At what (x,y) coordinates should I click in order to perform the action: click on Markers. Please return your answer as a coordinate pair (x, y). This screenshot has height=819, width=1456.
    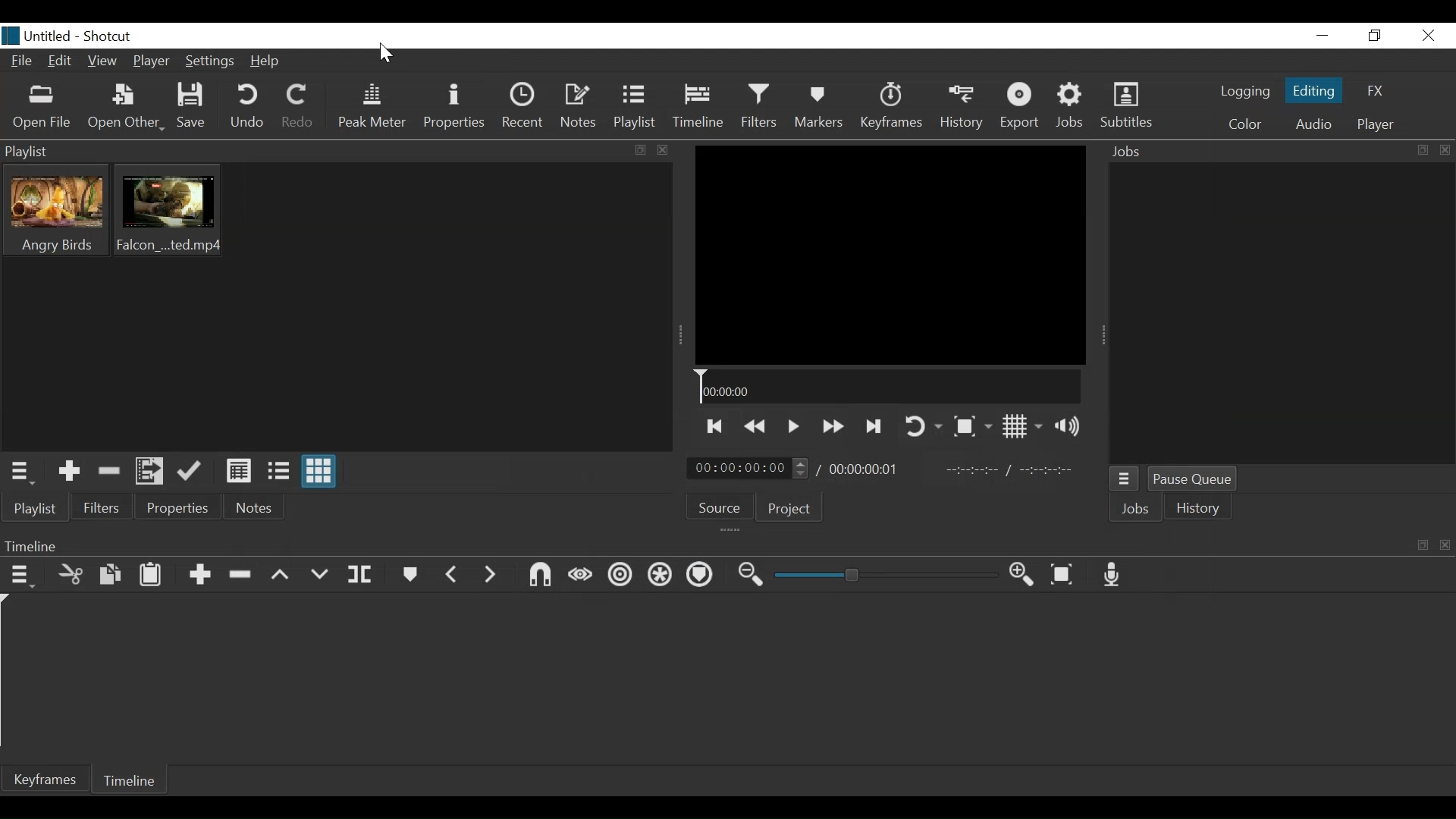
    Looking at the image, I should click on (821, 106).